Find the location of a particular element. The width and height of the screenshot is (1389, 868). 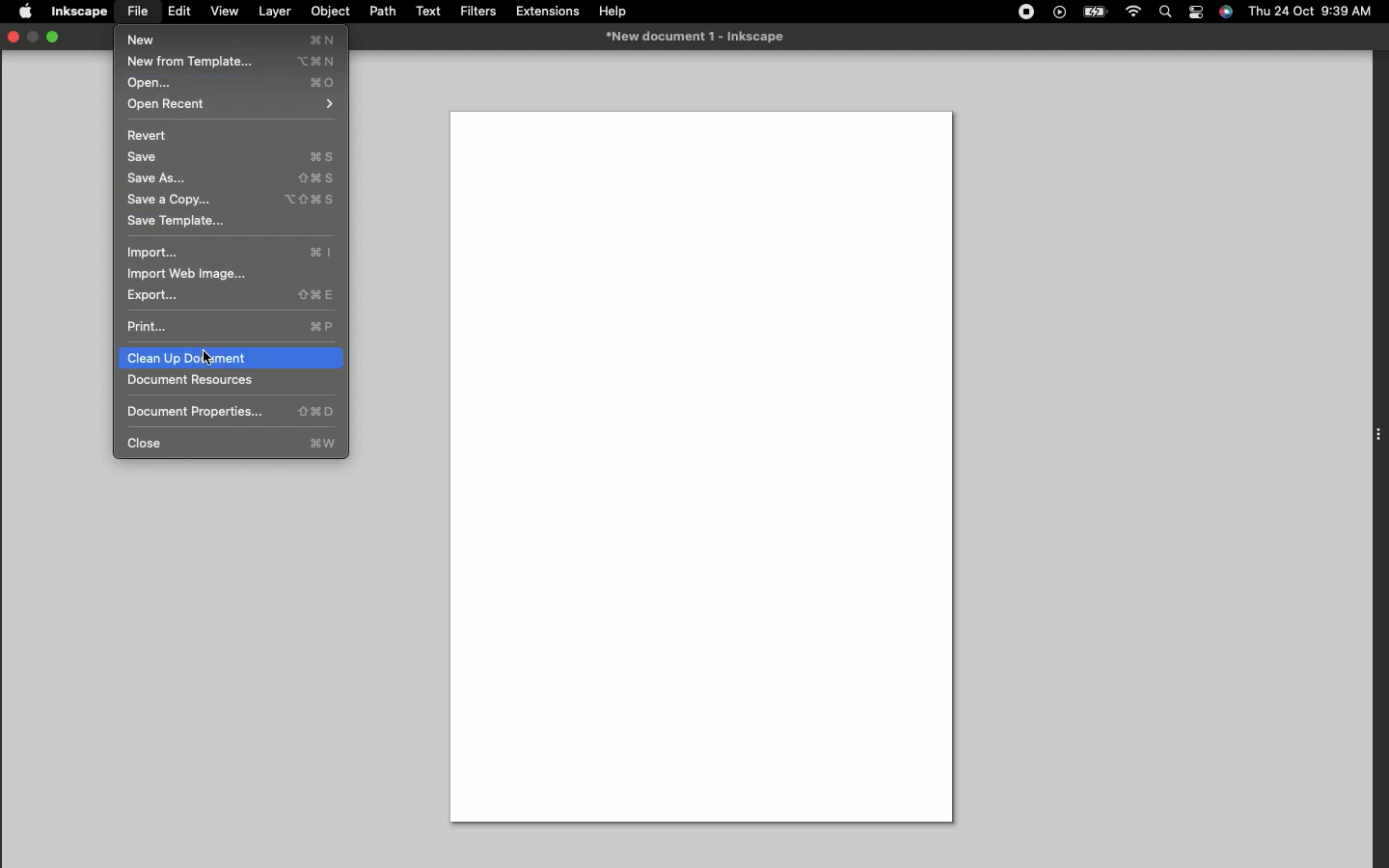

cursor is located at coordinates (209, 355).